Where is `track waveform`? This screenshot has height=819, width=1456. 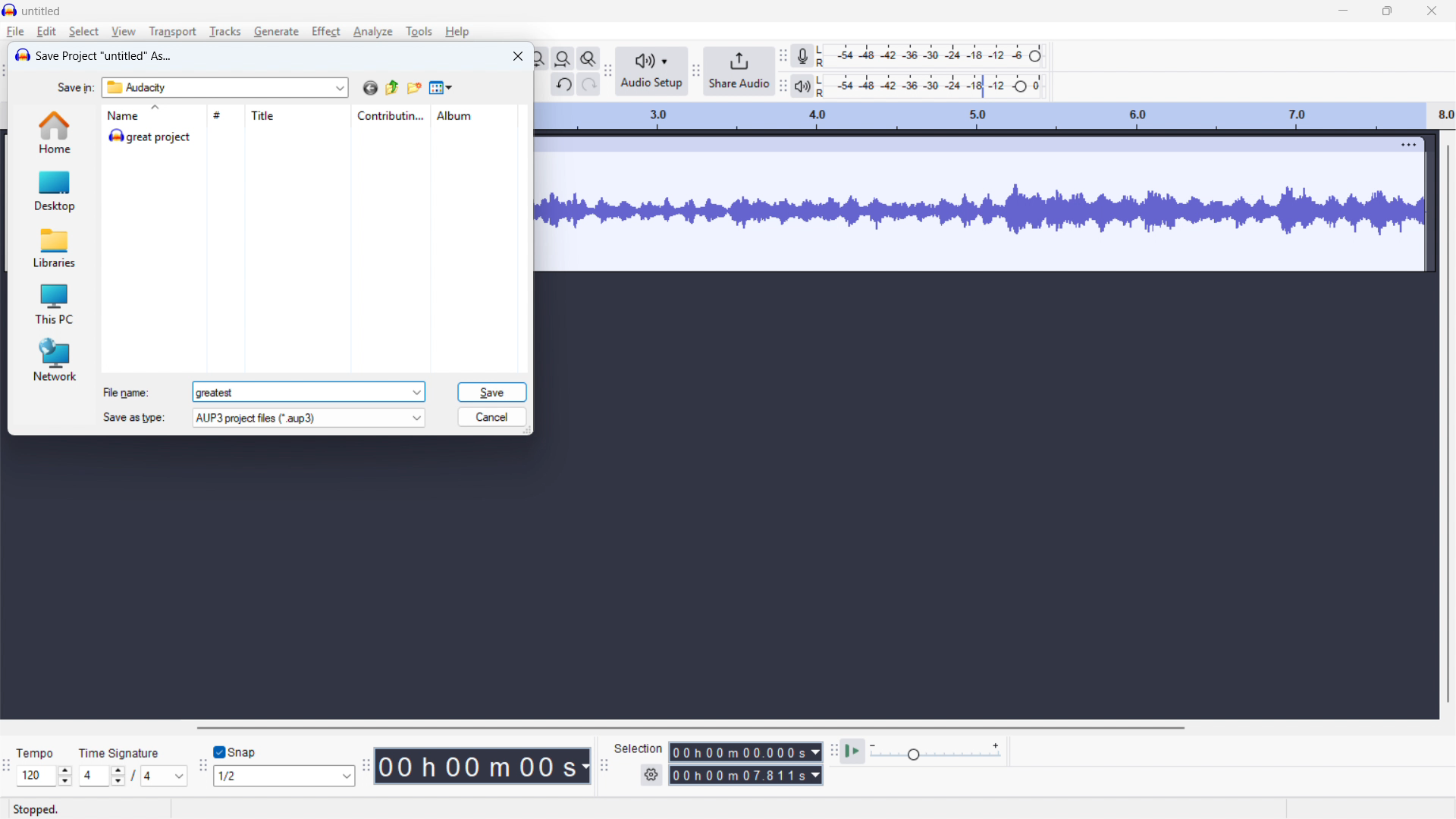
track waveform is located at coordinates (981, 211).